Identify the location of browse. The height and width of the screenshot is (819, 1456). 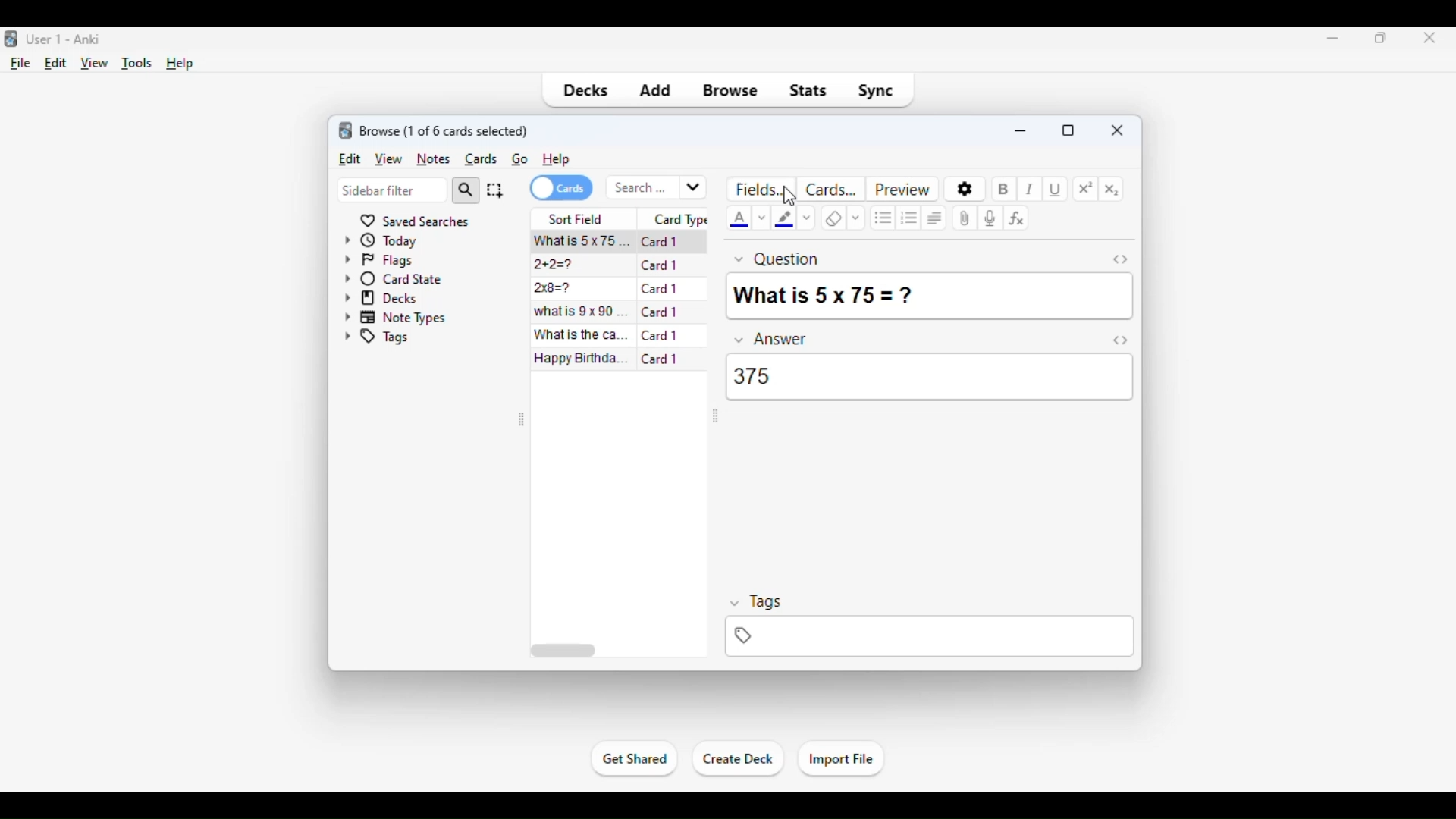
(731, 91).